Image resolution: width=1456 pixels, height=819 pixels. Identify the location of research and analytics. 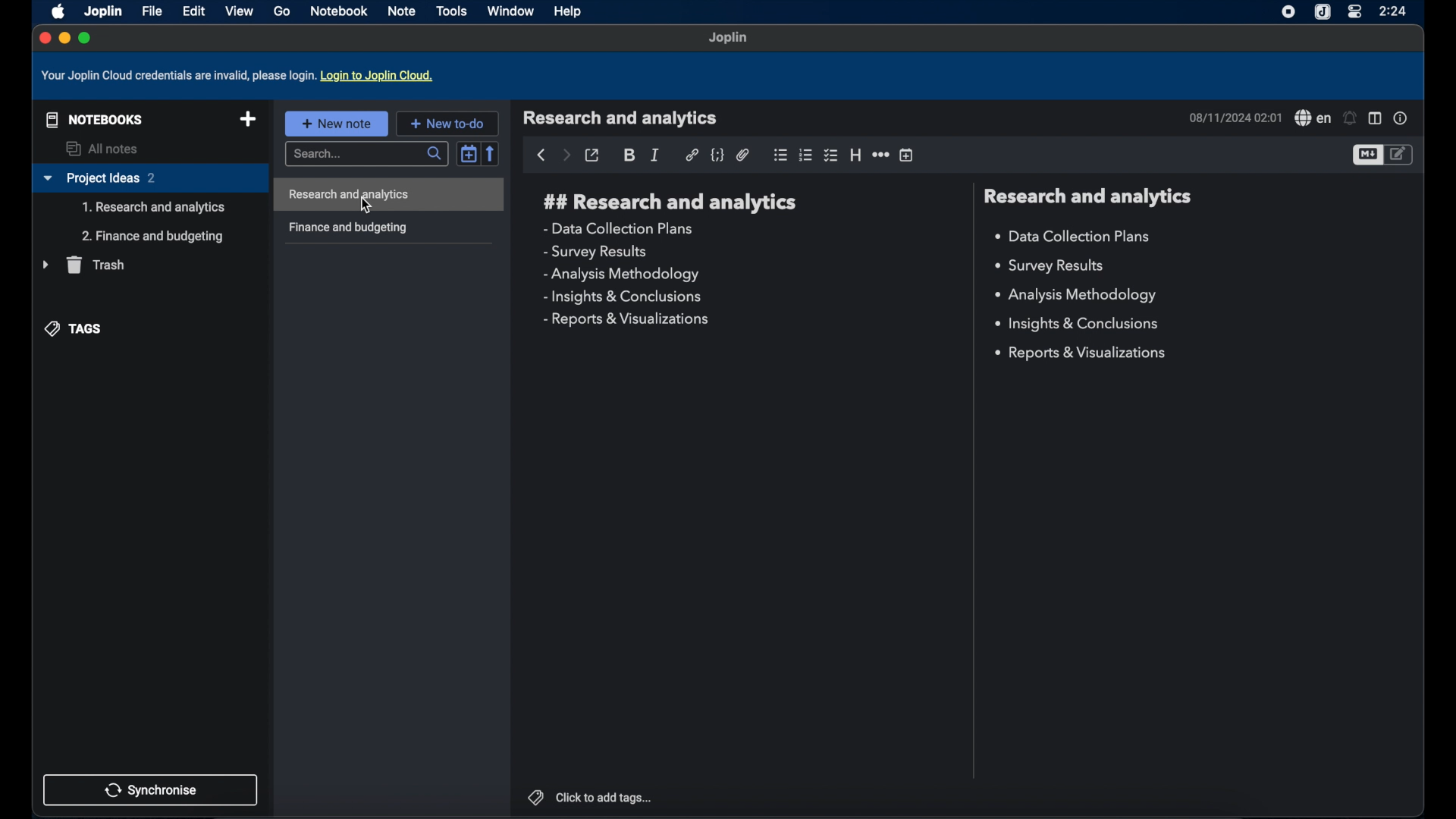
(1087, 196).